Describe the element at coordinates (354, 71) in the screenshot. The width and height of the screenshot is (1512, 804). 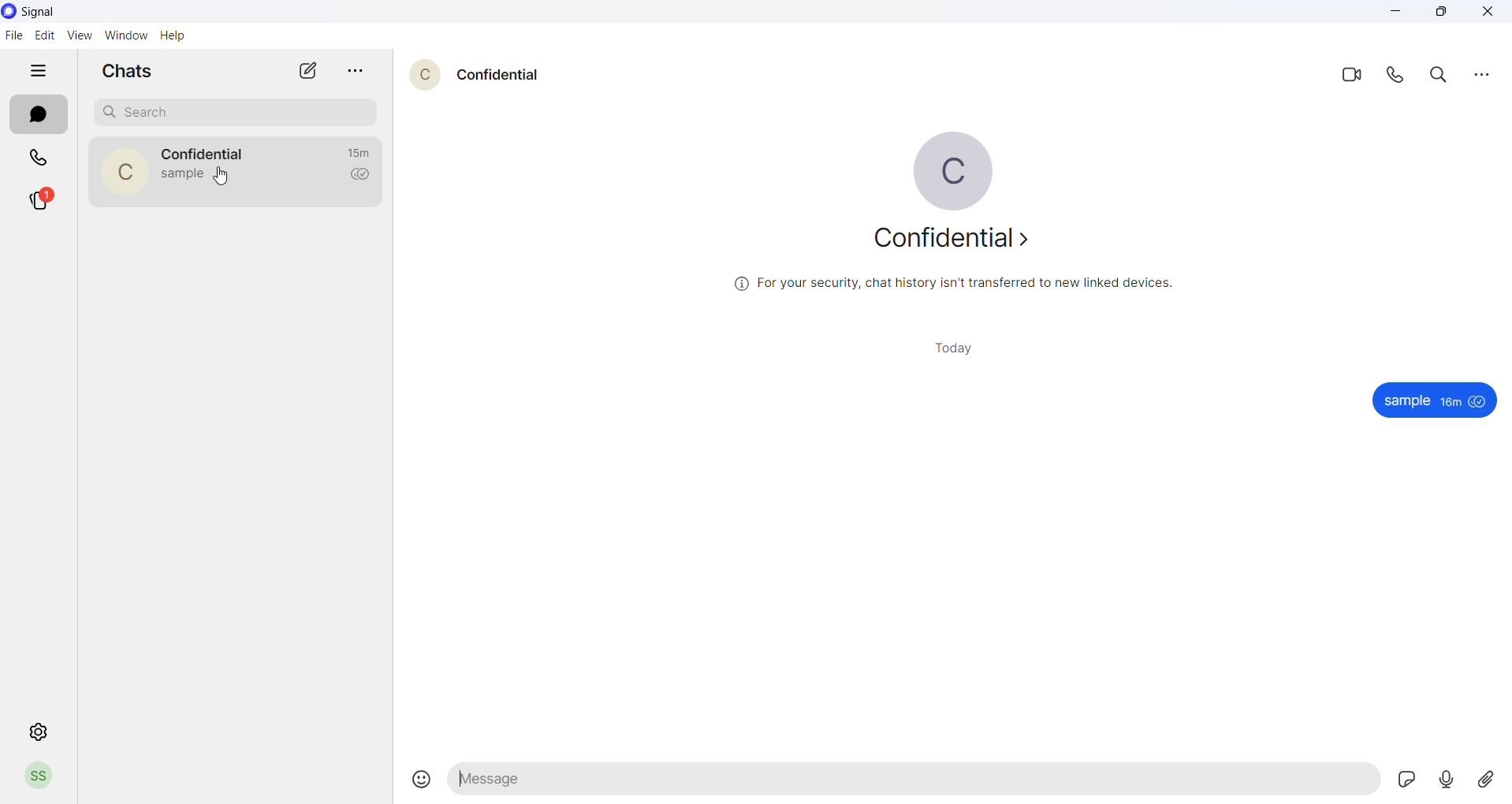
I see `chat options` at that location.